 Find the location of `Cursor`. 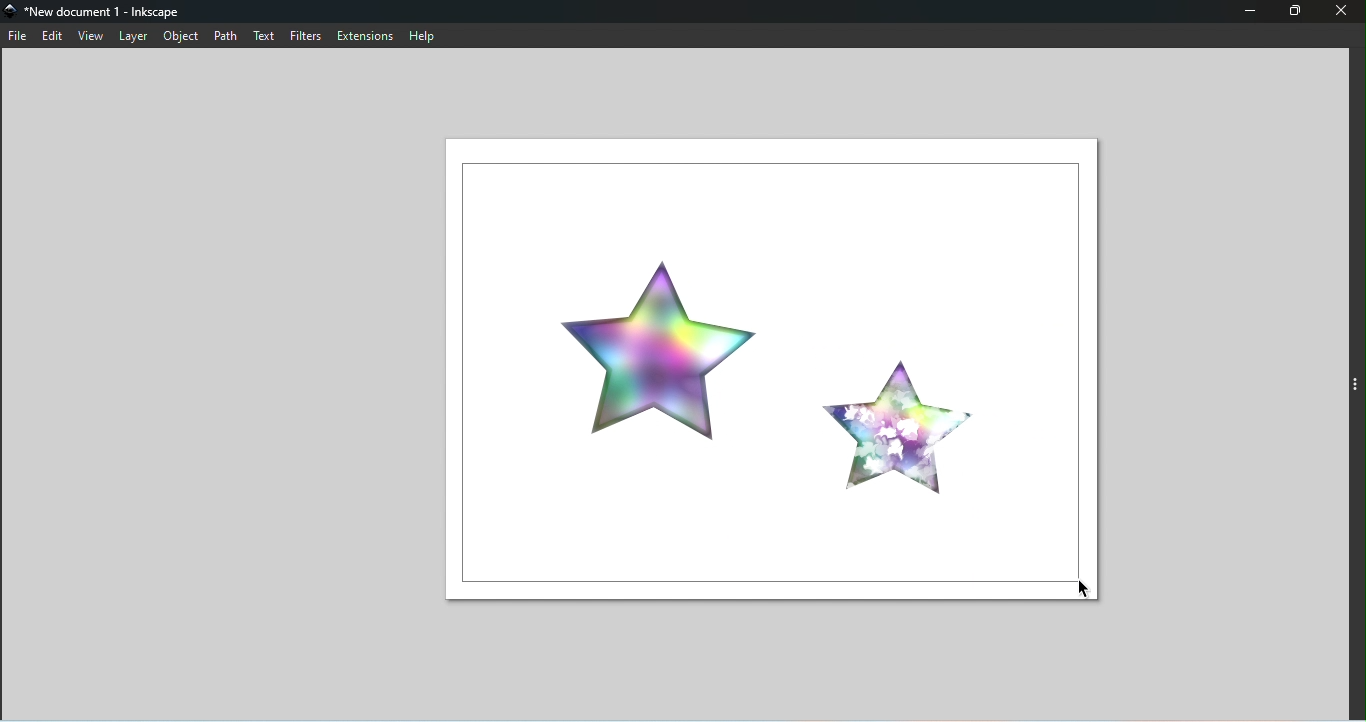

Cursor is located at coordinates (1081, 588).